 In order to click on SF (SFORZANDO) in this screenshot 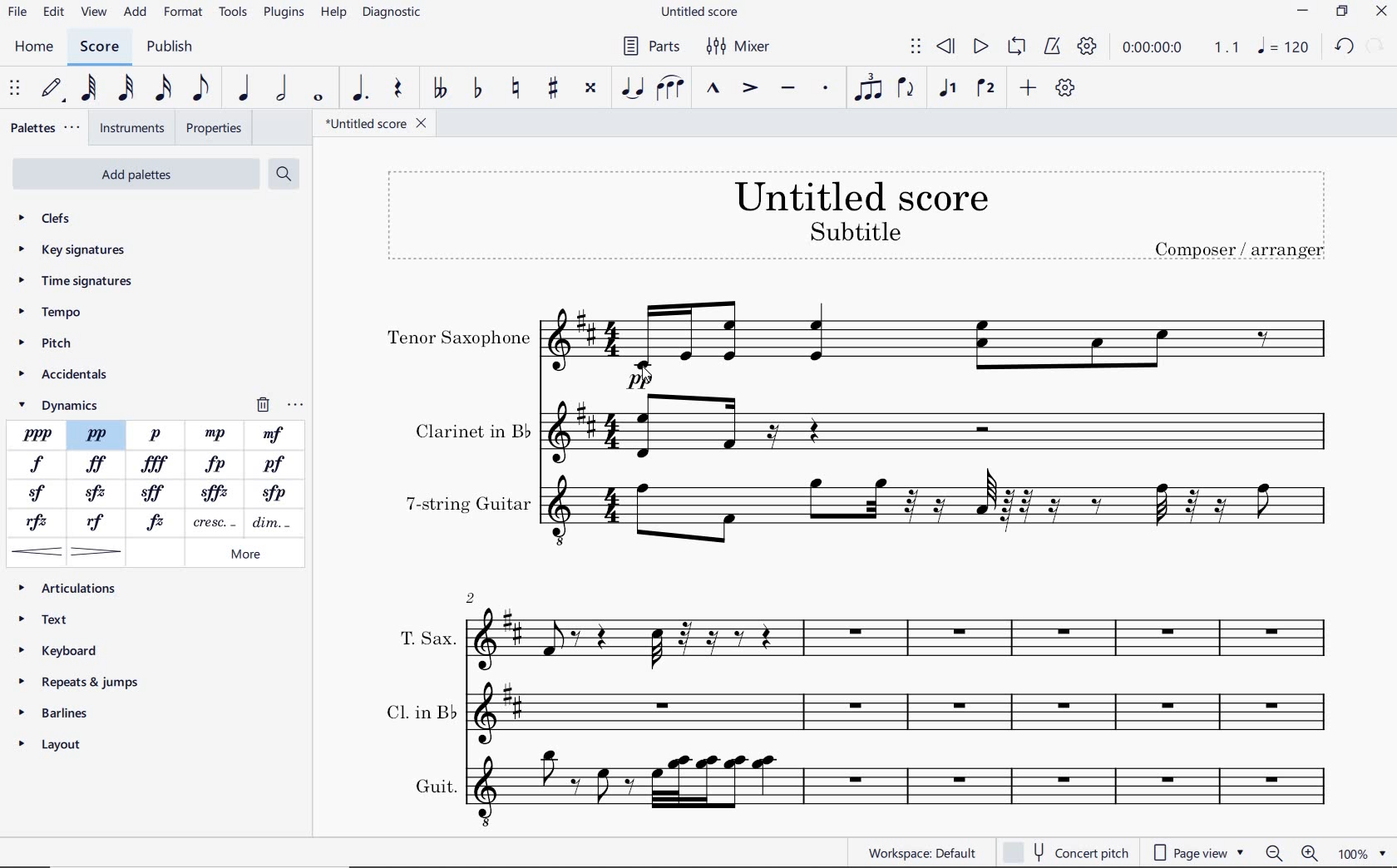, I will do `click(37, 495)`.